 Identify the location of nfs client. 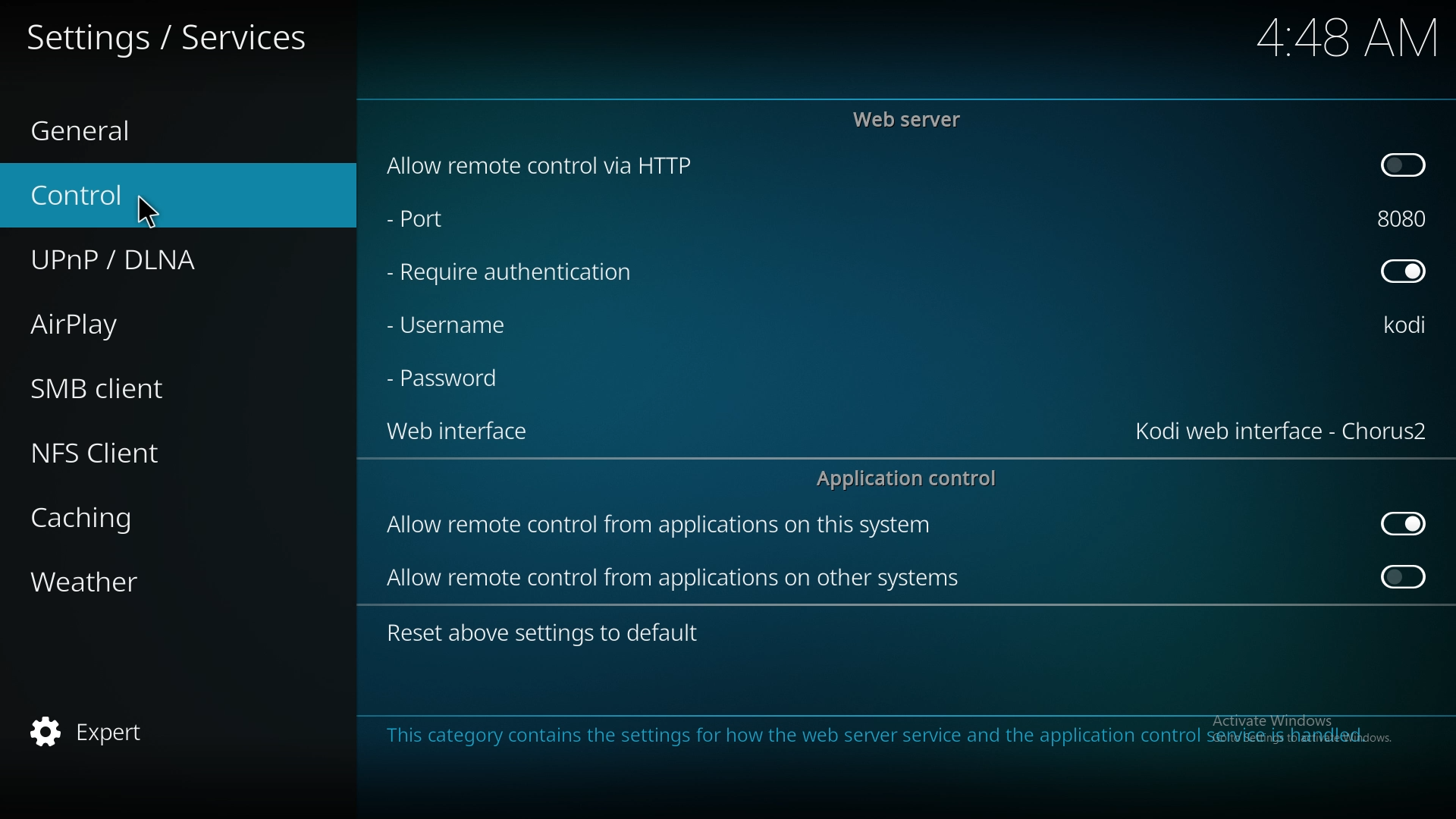
(121, 448).